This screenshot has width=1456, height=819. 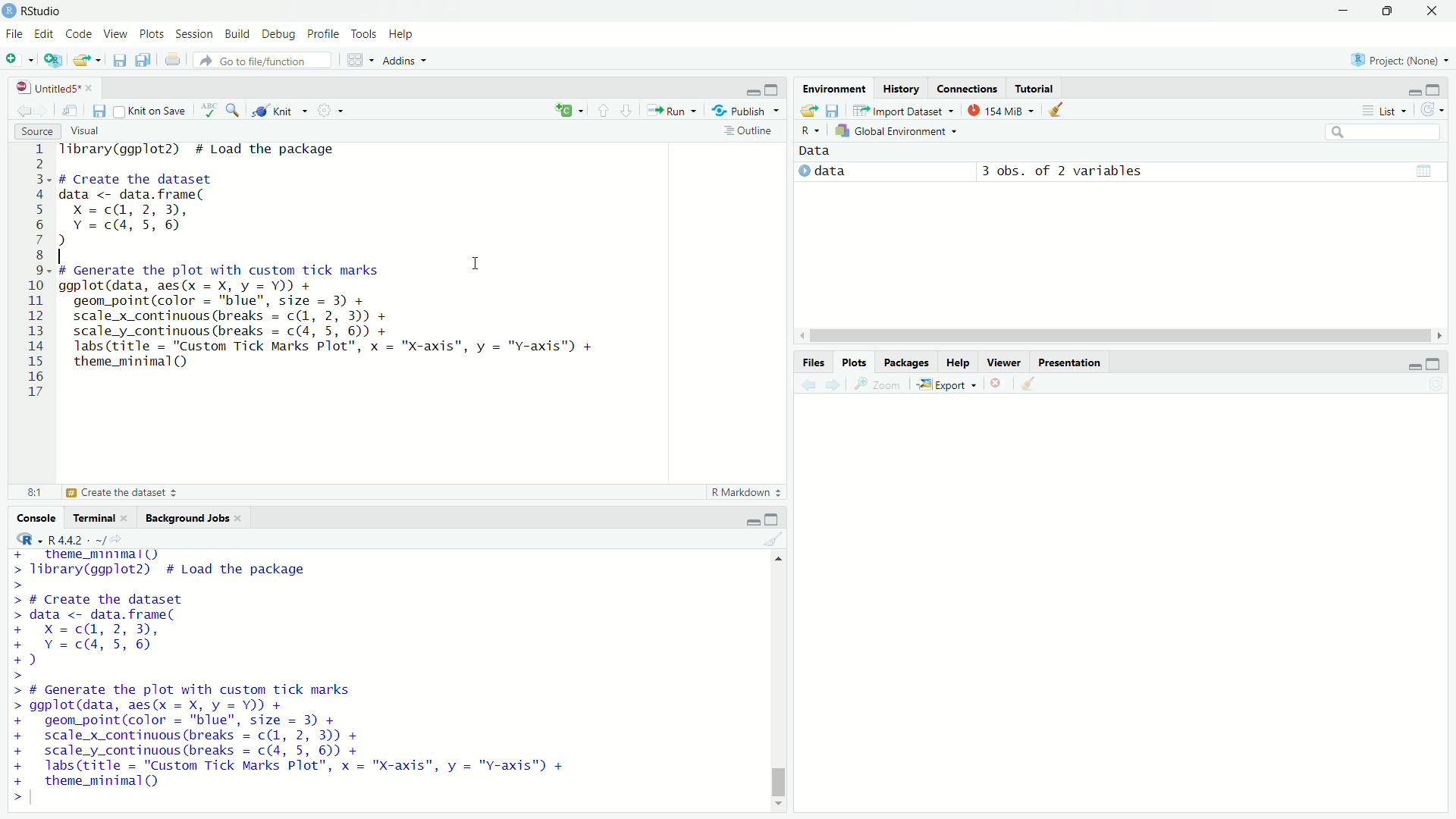 What do you see at coordinates (631, 112) in the screenshot?
I see `go to next section/chunk` at bounding box center [631, 112].